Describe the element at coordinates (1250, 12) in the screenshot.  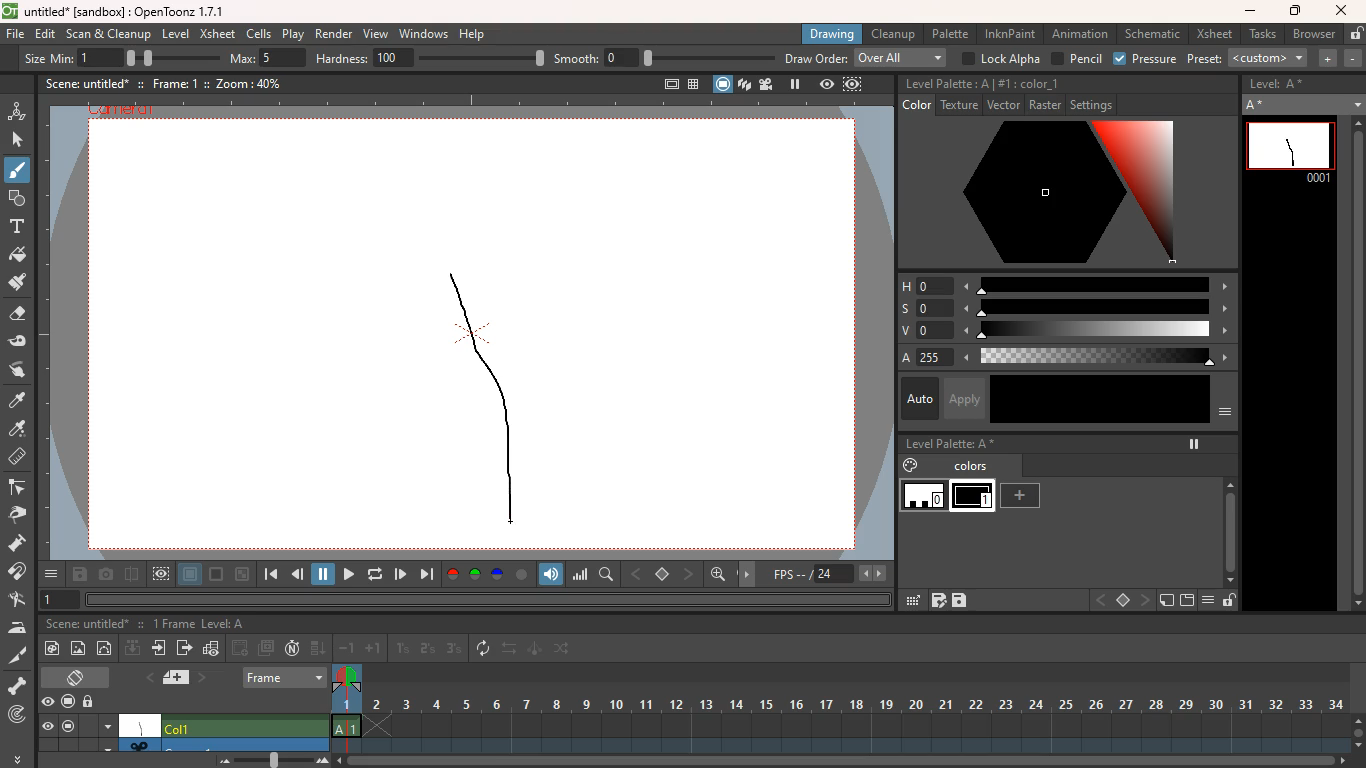
I see `minimize` at that location.